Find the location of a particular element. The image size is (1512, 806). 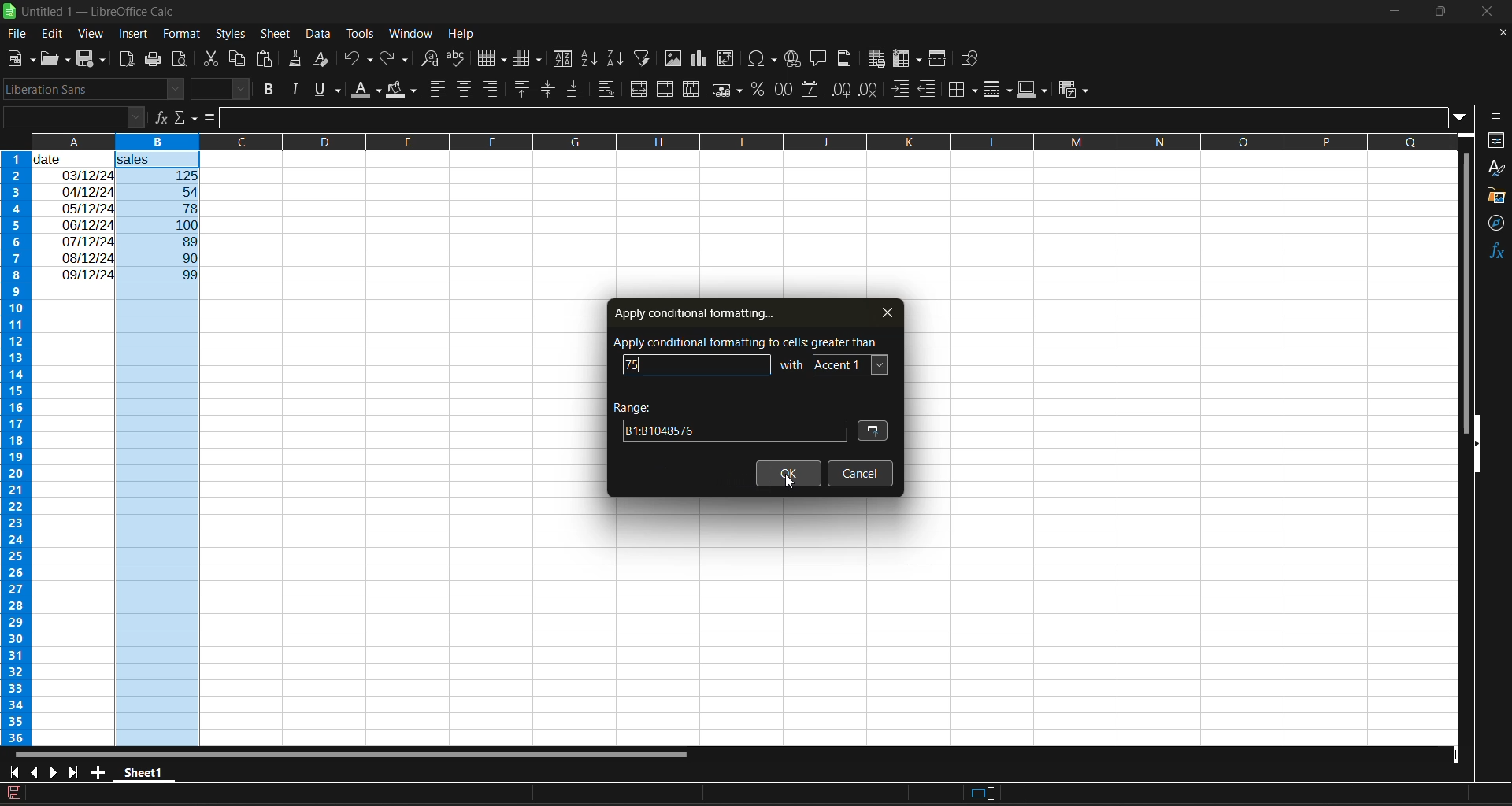

expand formula bar is located at coordinates (1466, 119).